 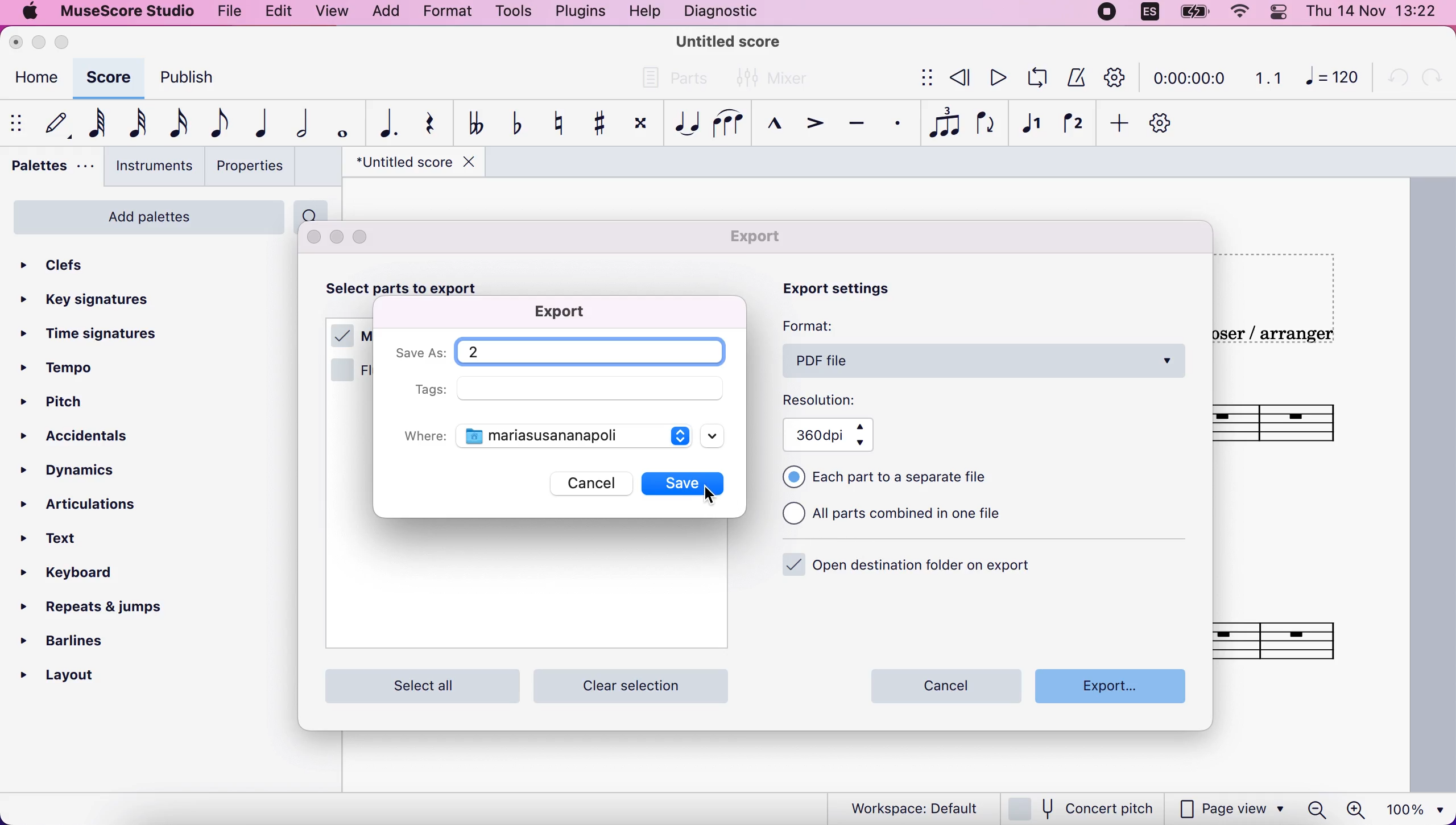 I want to click on repeats and jumps, so click(x=106, y=610).